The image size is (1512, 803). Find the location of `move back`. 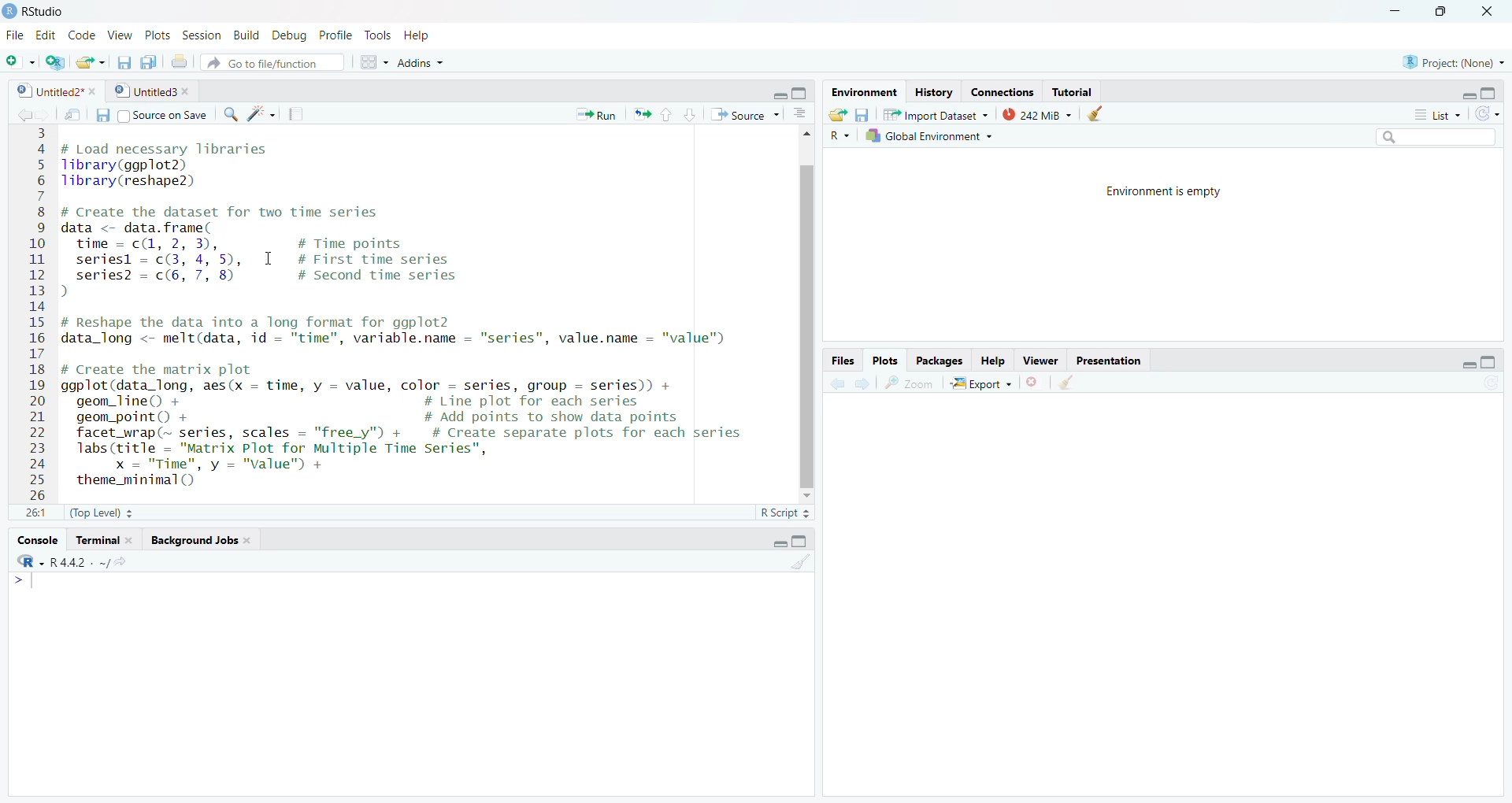

move back is located at coordinates (24, 113).